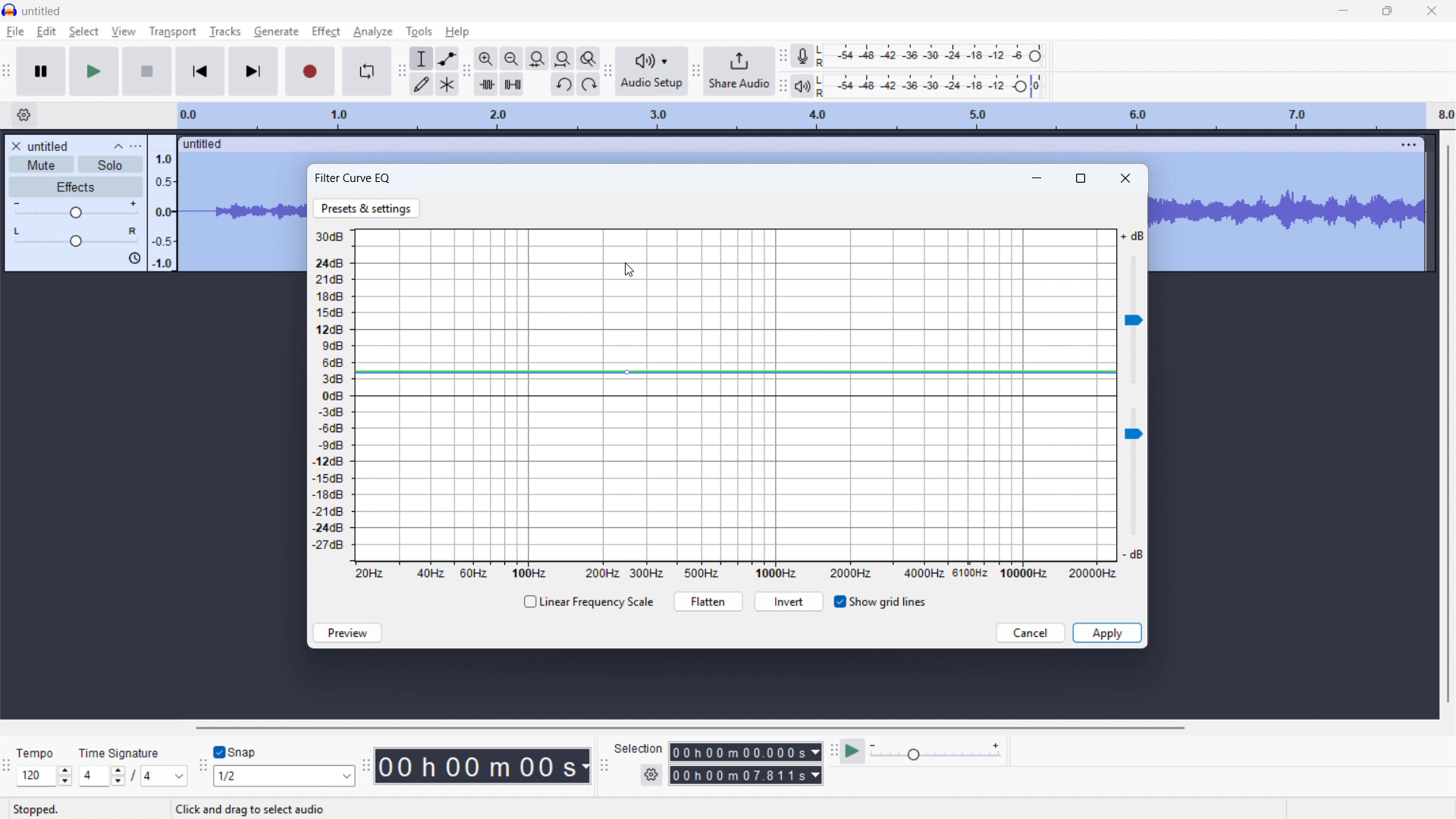  Describe the element at coordinates (1387, 11) in the screenshot. I see `Maximise ` at that location.